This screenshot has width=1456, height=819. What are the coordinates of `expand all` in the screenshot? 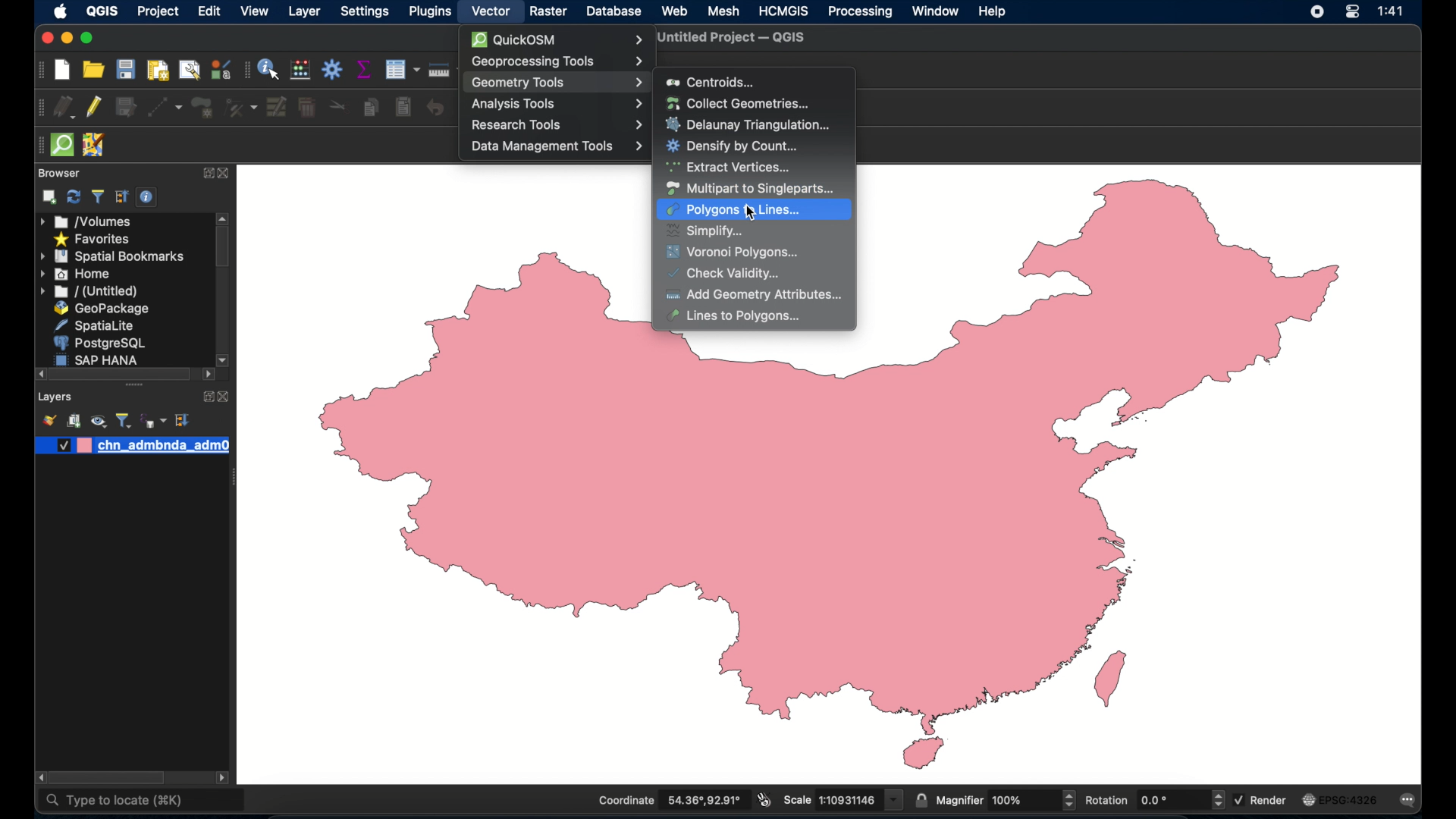 It's located at (184, 420).